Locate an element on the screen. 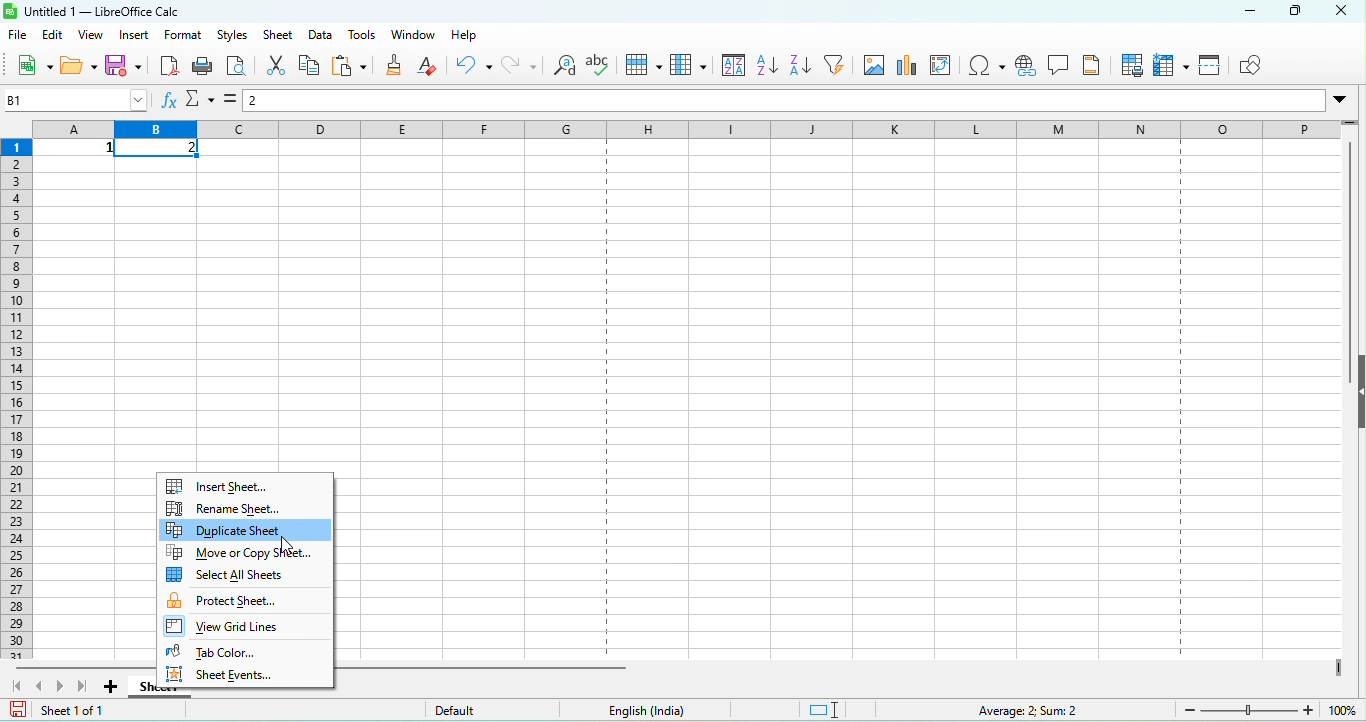 This screenshot has height=722, width=1366. sheet 1 is located at coordinates (143, 686).